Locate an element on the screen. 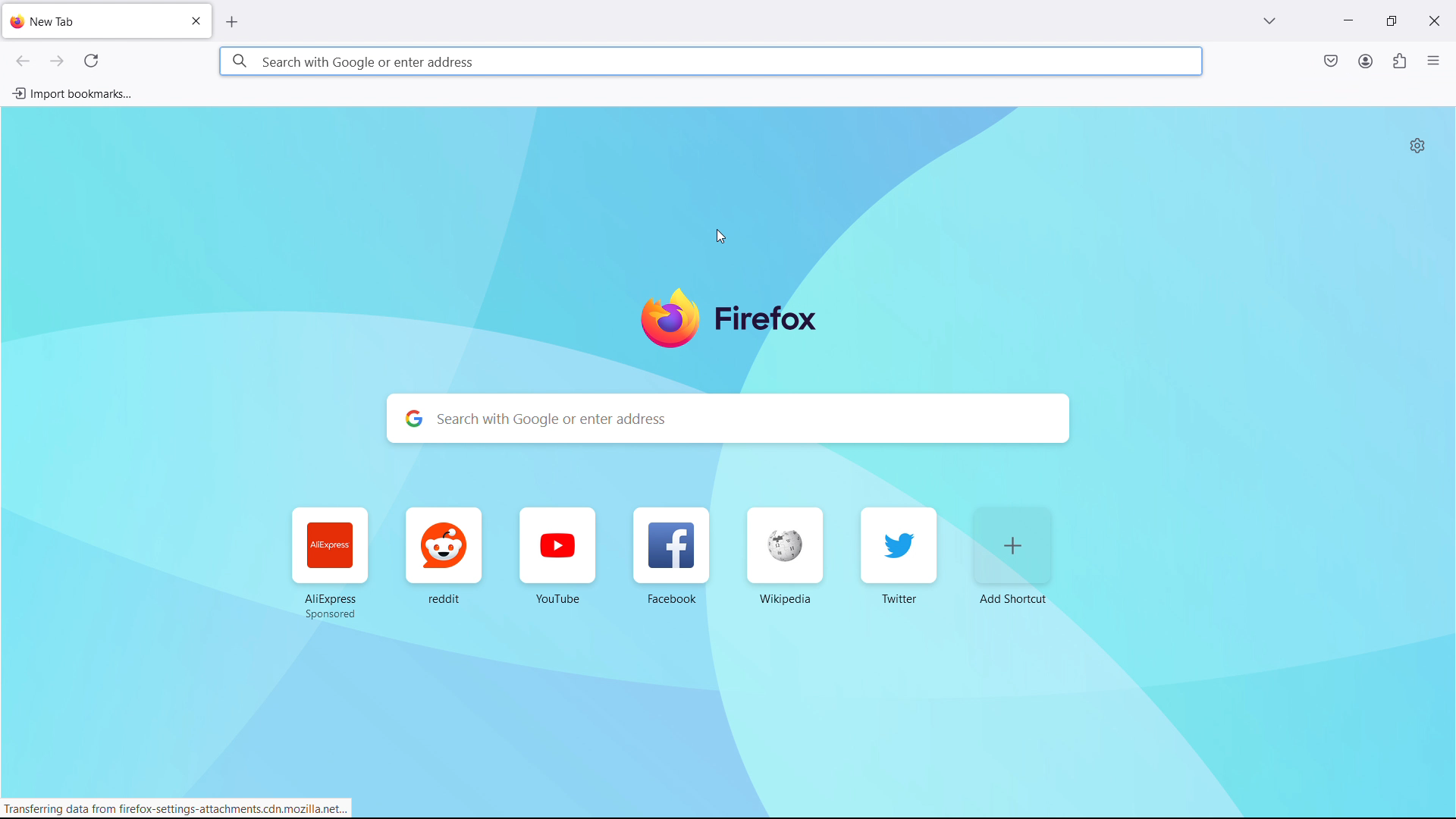 This screenshot has height=819, width=1456. close is located at coordinates (1433, 18).